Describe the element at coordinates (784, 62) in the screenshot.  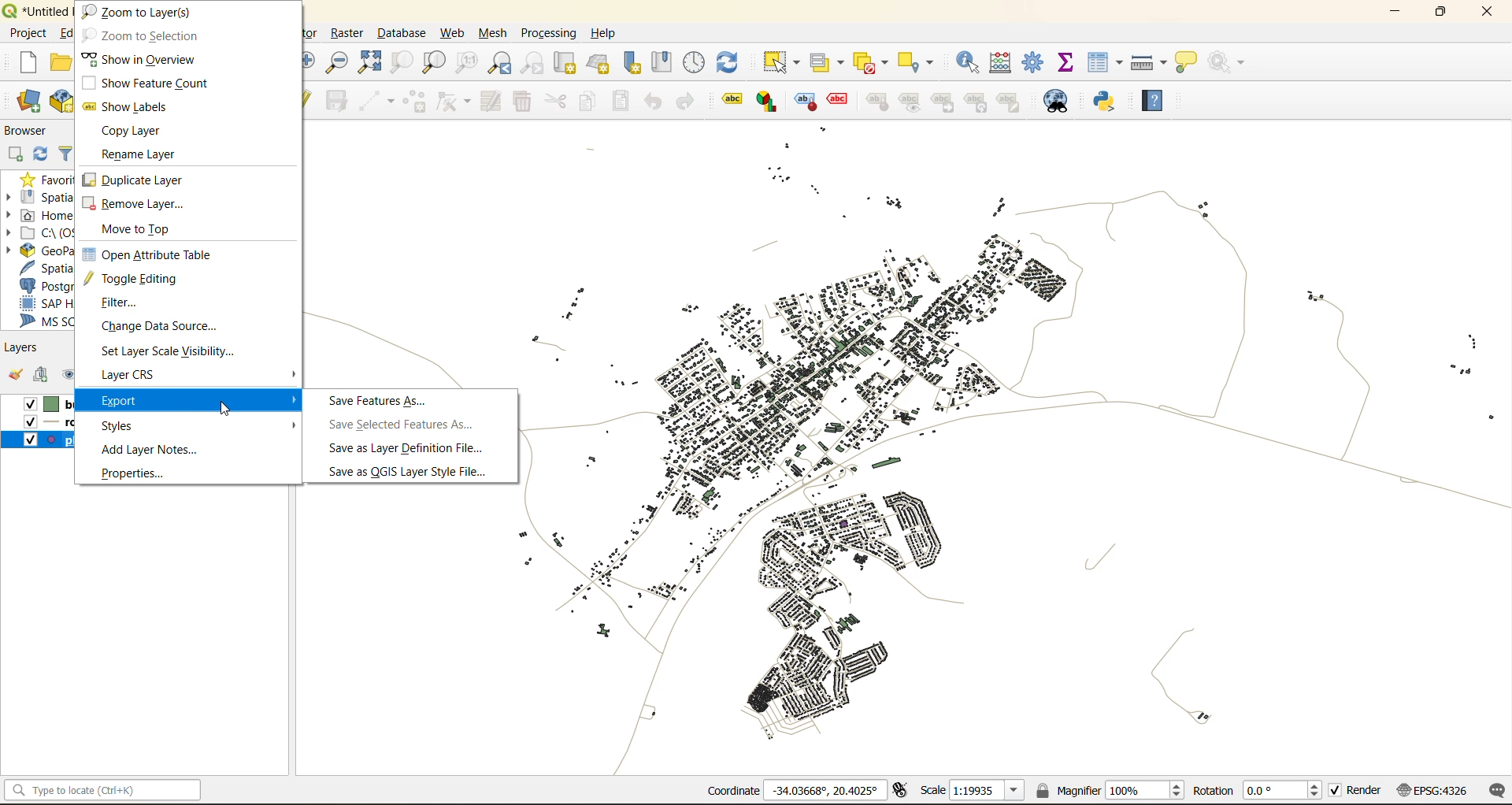
I see `select` at that location.